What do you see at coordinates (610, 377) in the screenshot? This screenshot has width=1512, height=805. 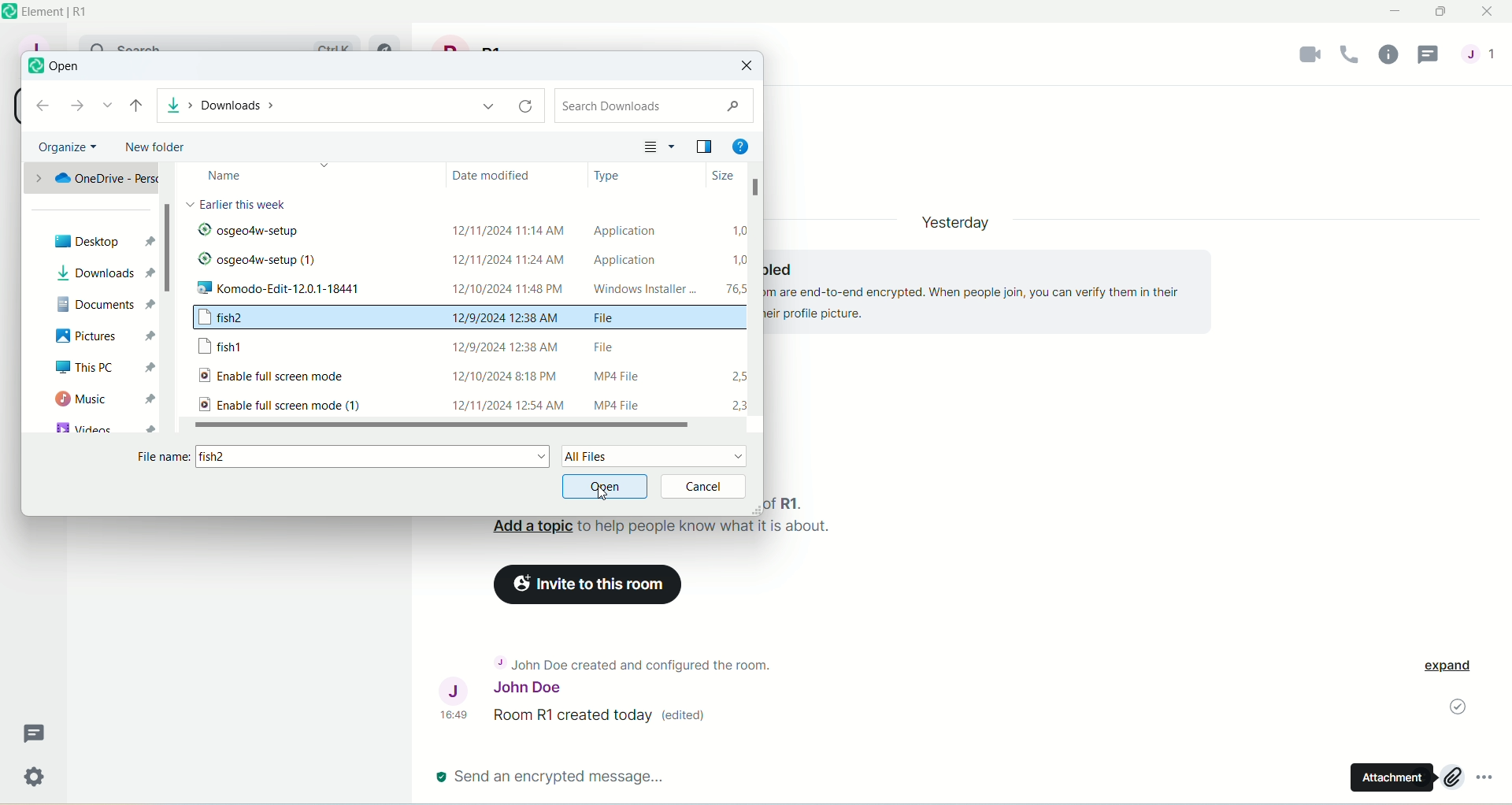 I see `Mp4 File` at bounding box center [610, 377].